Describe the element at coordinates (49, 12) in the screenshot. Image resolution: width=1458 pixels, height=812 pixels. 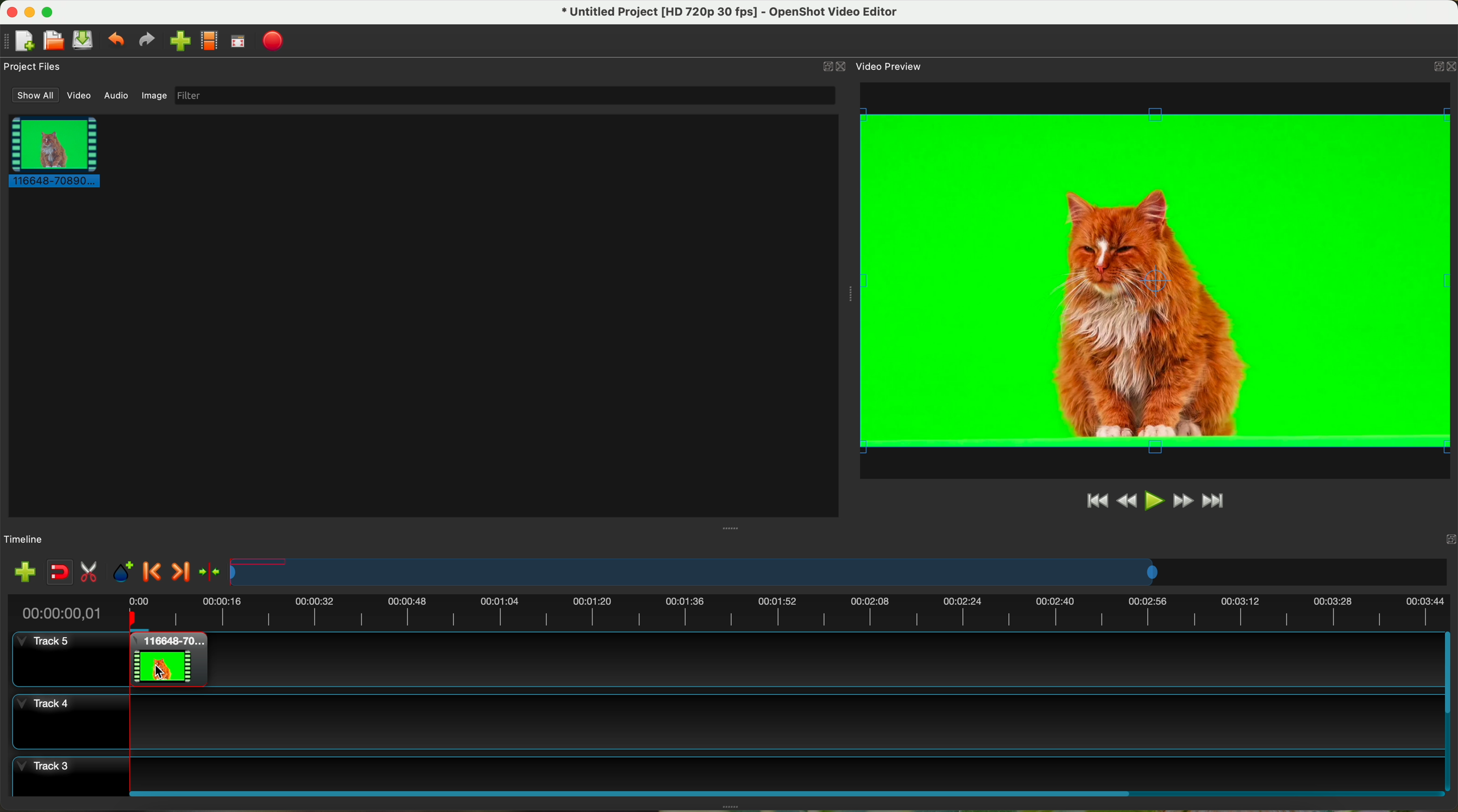
I see `maximize program` at that location.